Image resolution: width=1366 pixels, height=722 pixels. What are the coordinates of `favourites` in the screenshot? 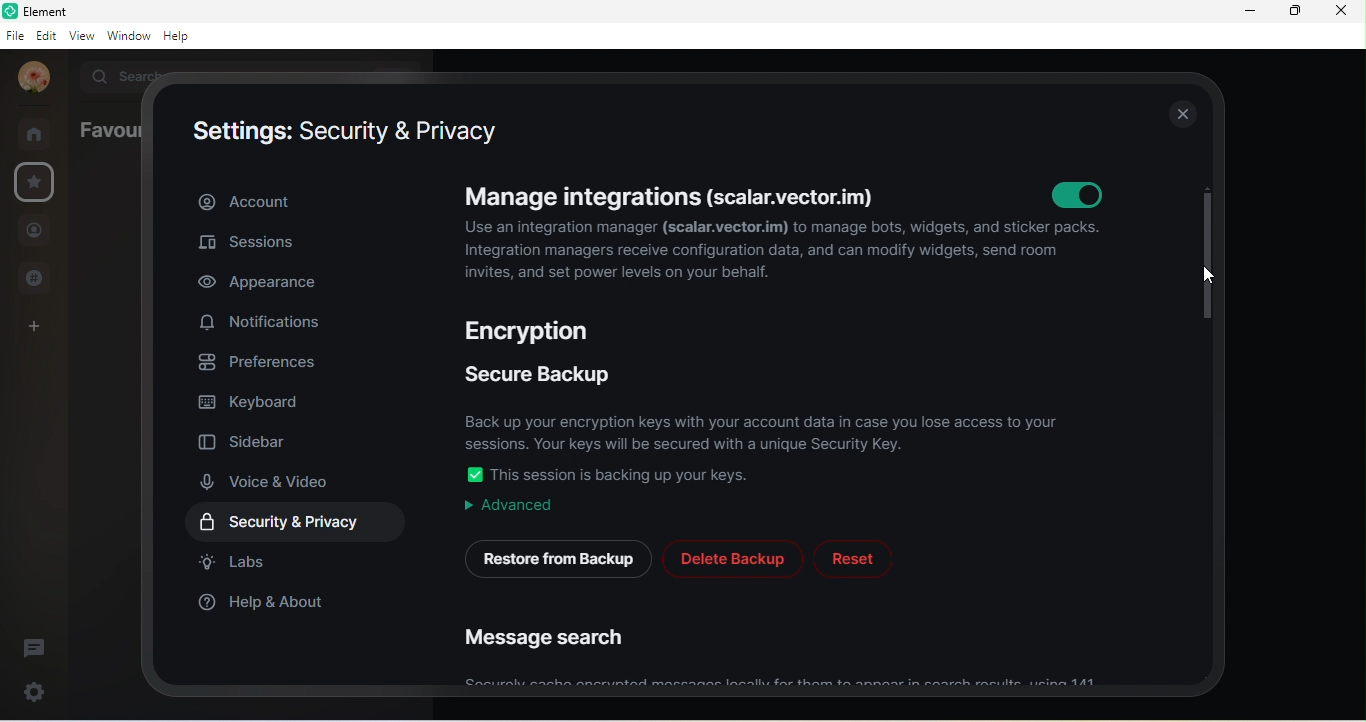 It's located at (109, 128).